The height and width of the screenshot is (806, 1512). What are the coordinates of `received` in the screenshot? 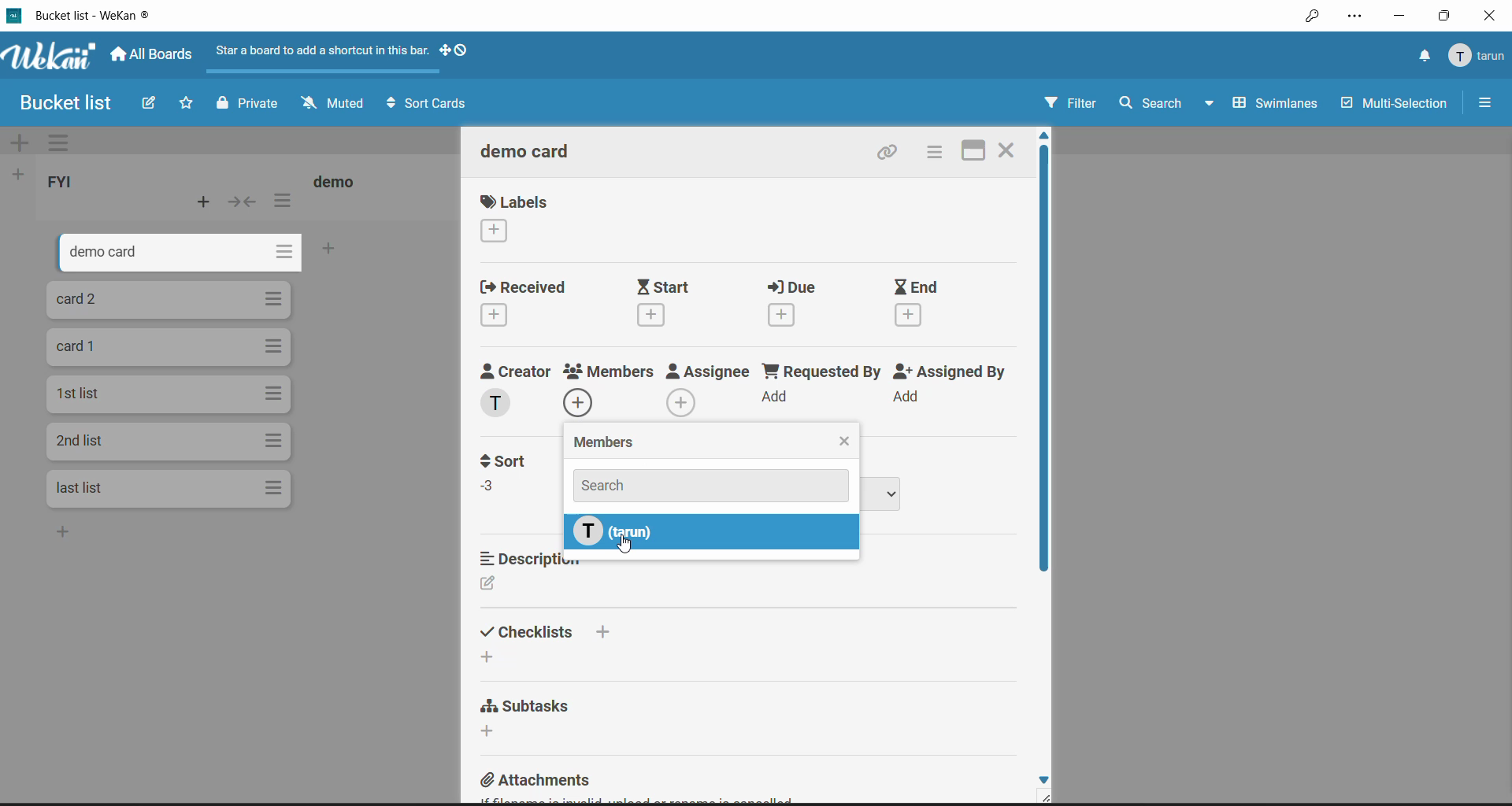 It's located at (521, 288).